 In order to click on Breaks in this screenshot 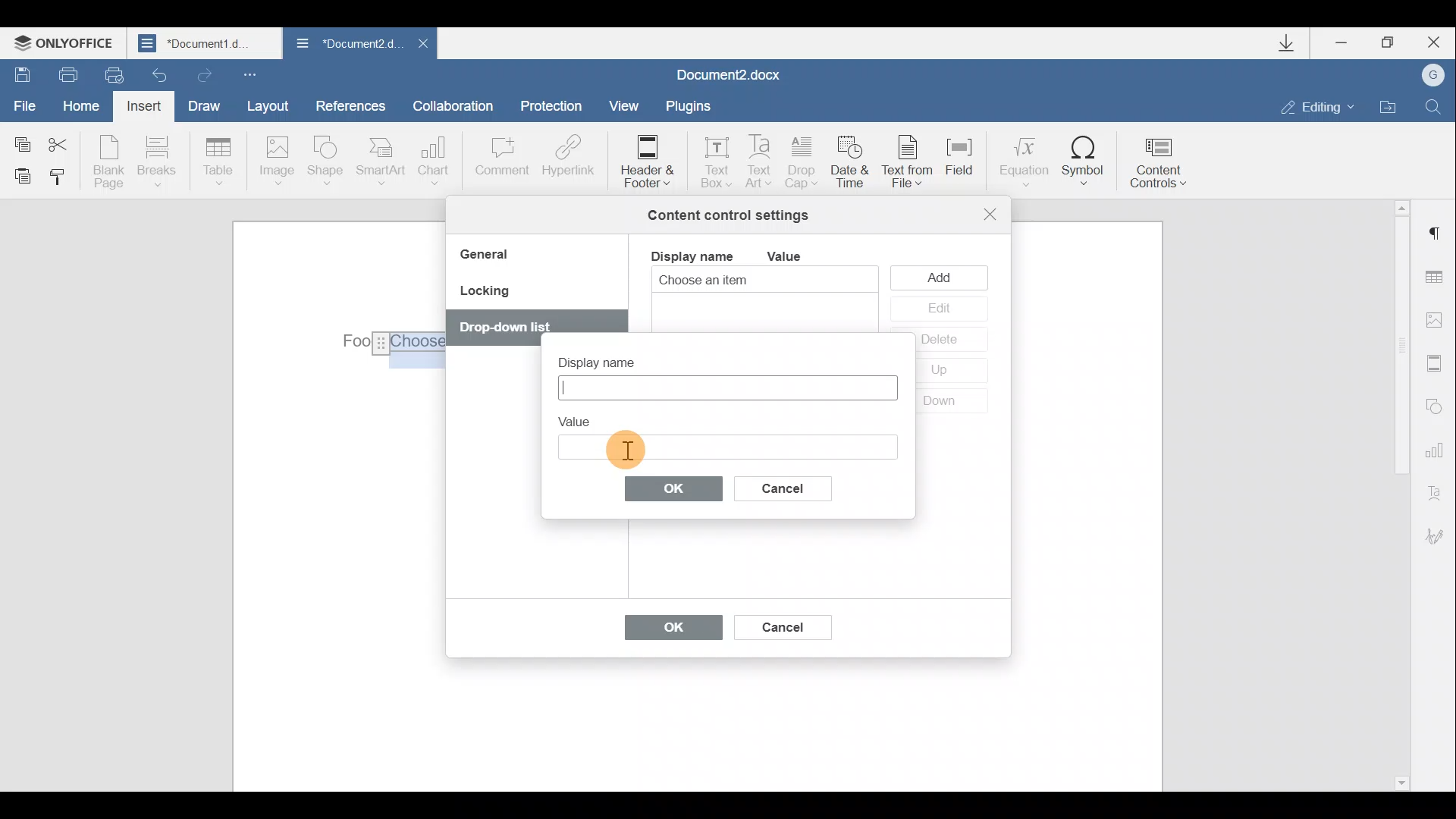, I will do `click(155, 165)`.